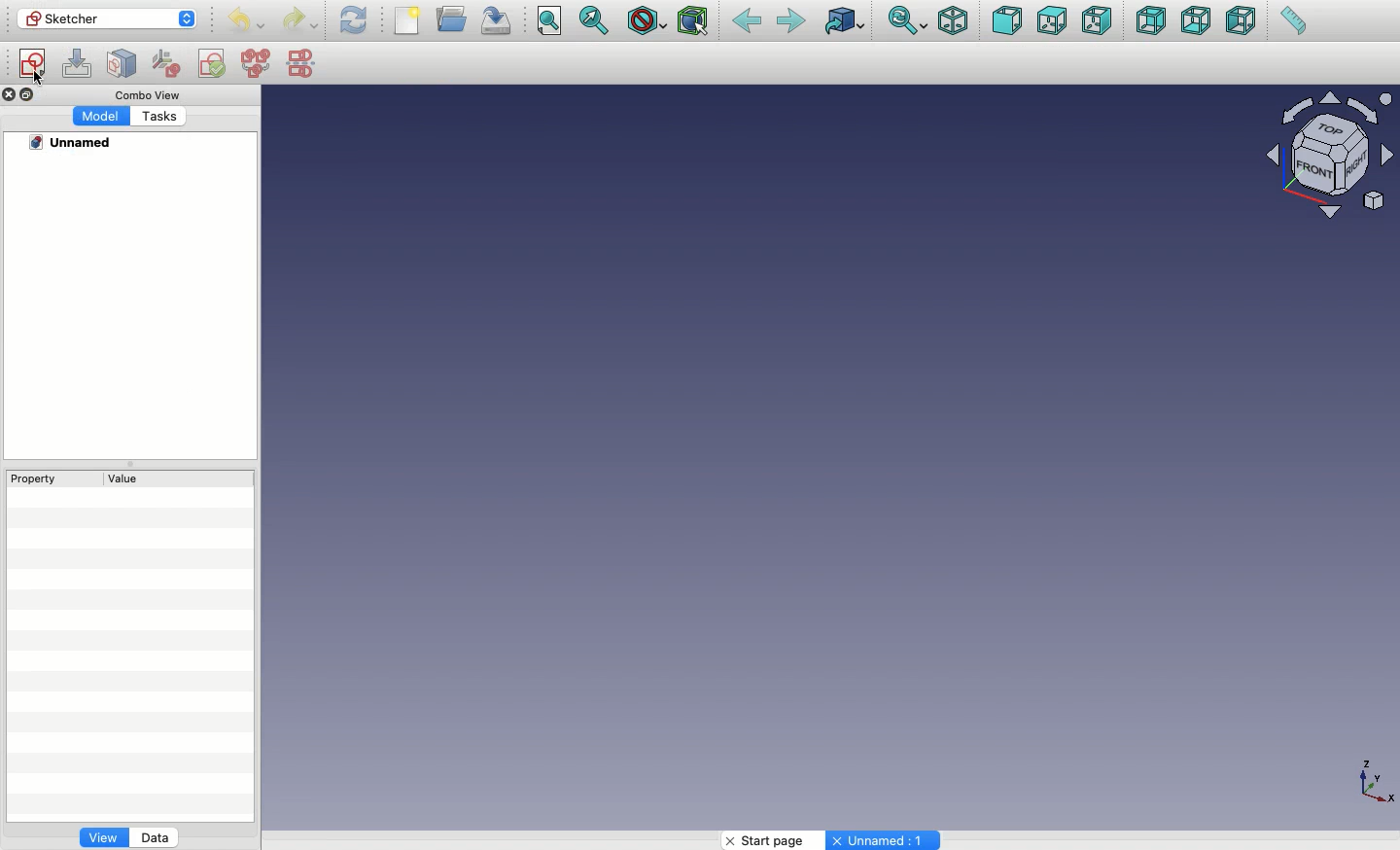  Describe the element at coordinates (409, 20) in the screenshot. I see `New` at that location.